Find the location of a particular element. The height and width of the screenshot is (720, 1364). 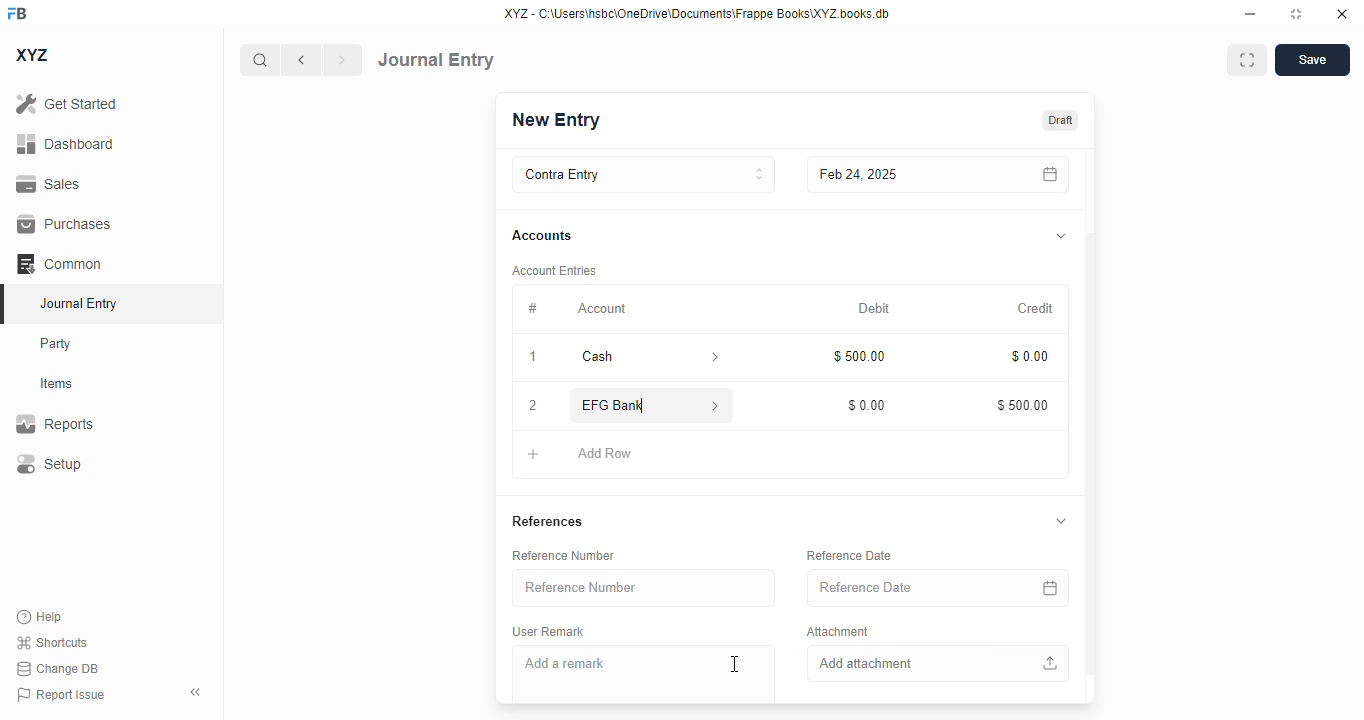

references is located at coordinates (549, 523).